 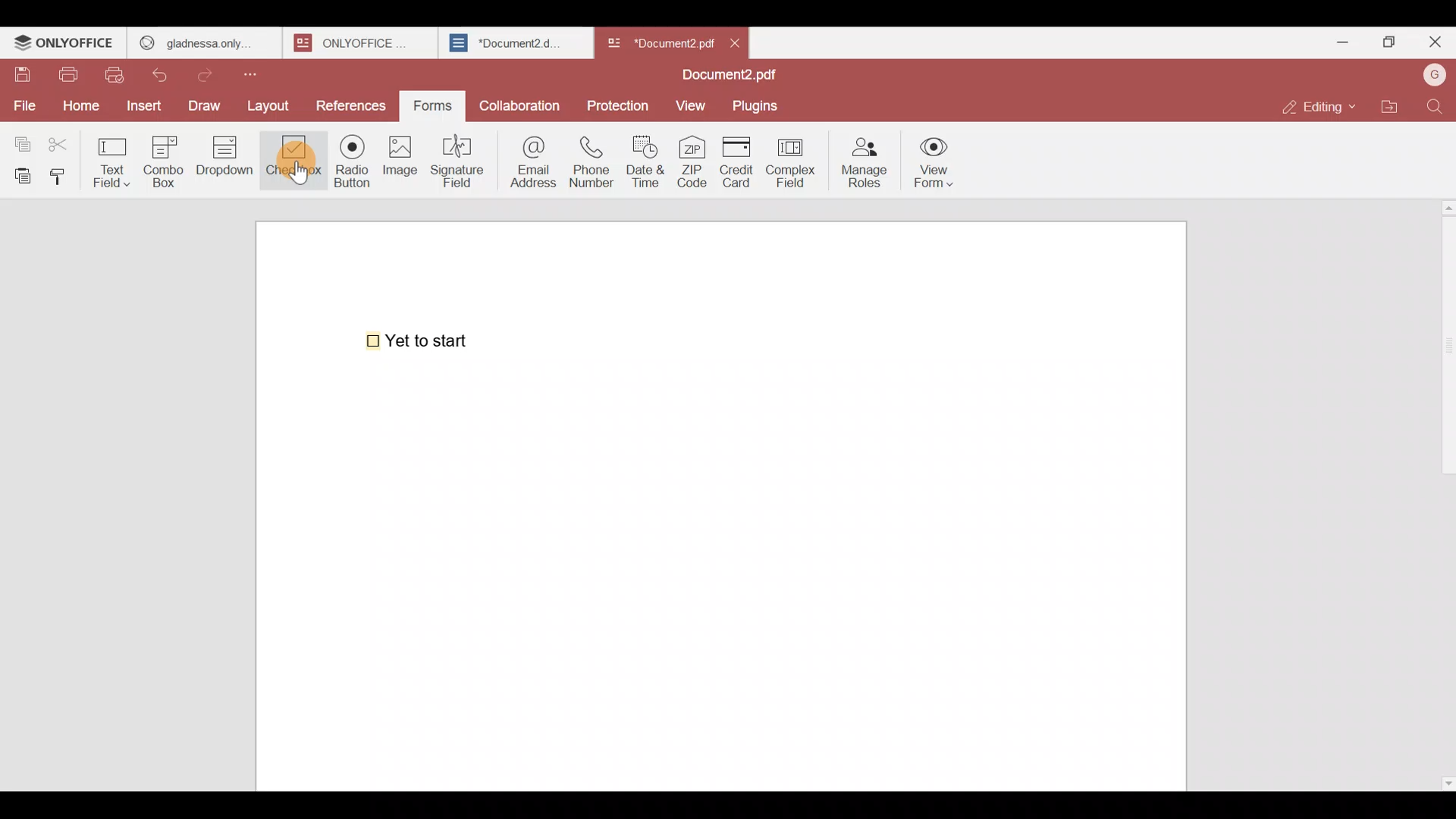 What do you see at coordinates (71, 76) in the screenshot?
I see `Print file` at bounding box center [71, 76].